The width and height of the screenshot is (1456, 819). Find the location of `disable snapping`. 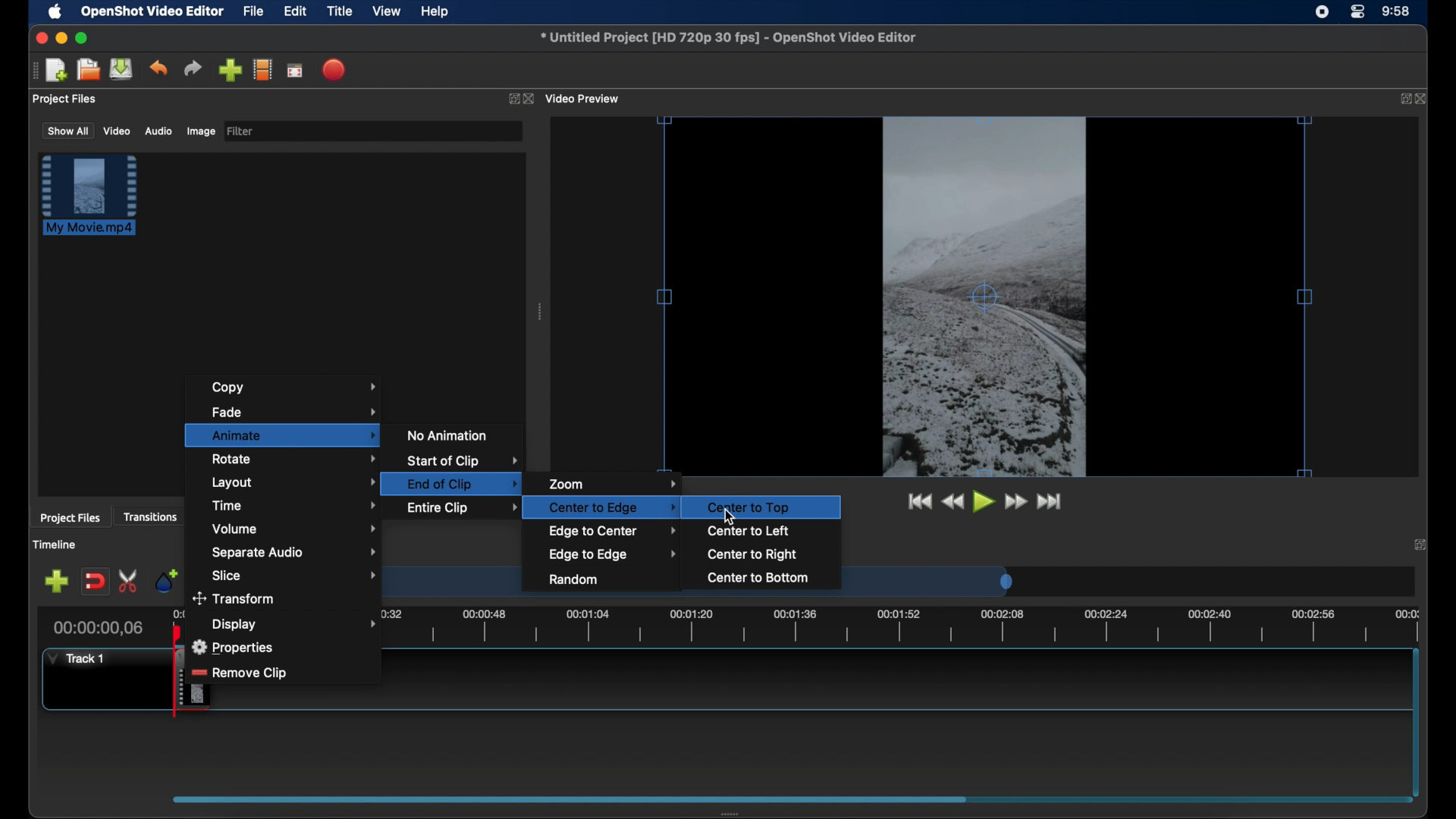

disable snapping is located at coordinates (95, 582).